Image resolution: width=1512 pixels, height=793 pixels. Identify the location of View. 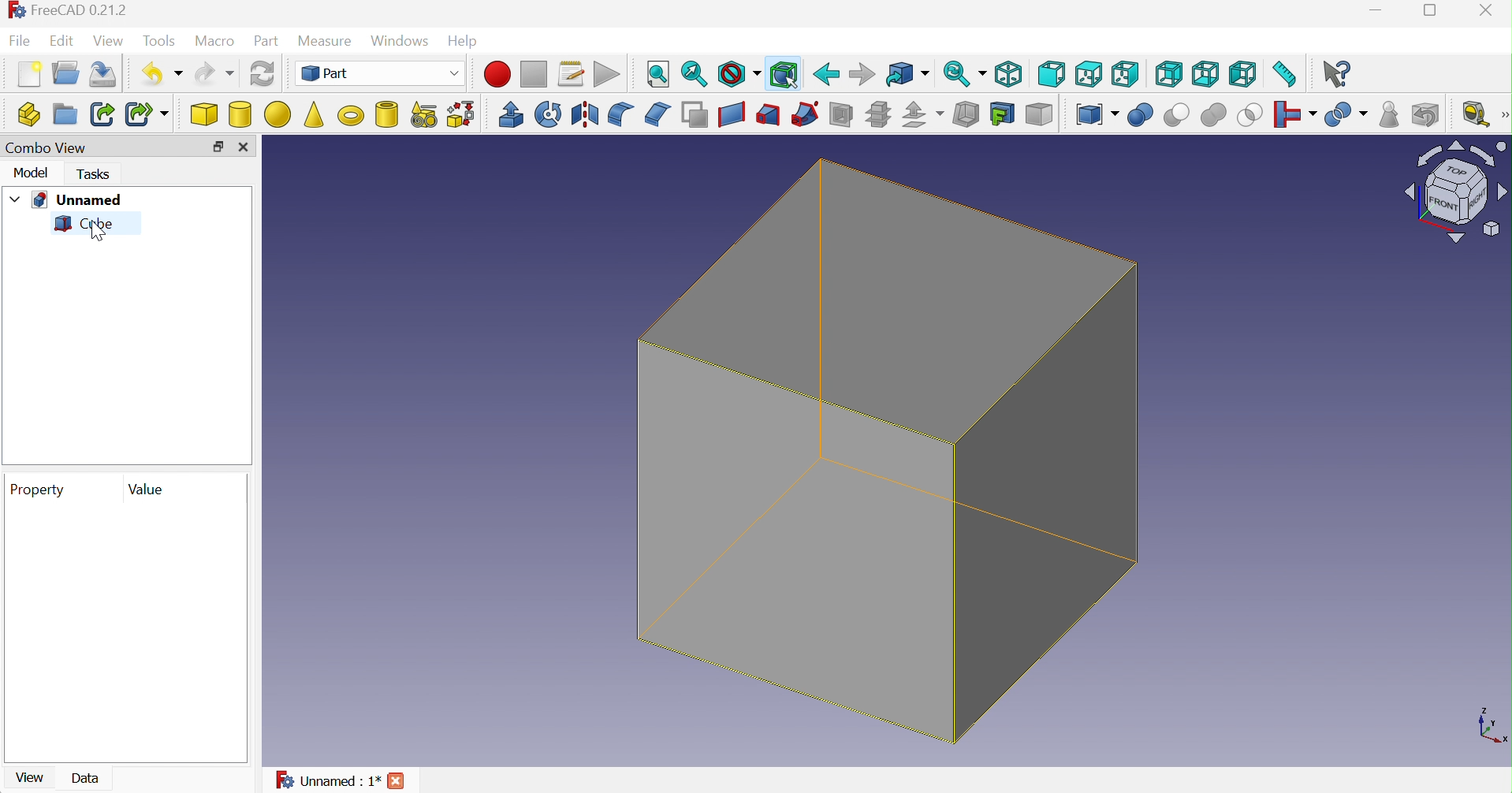
(108, 39).